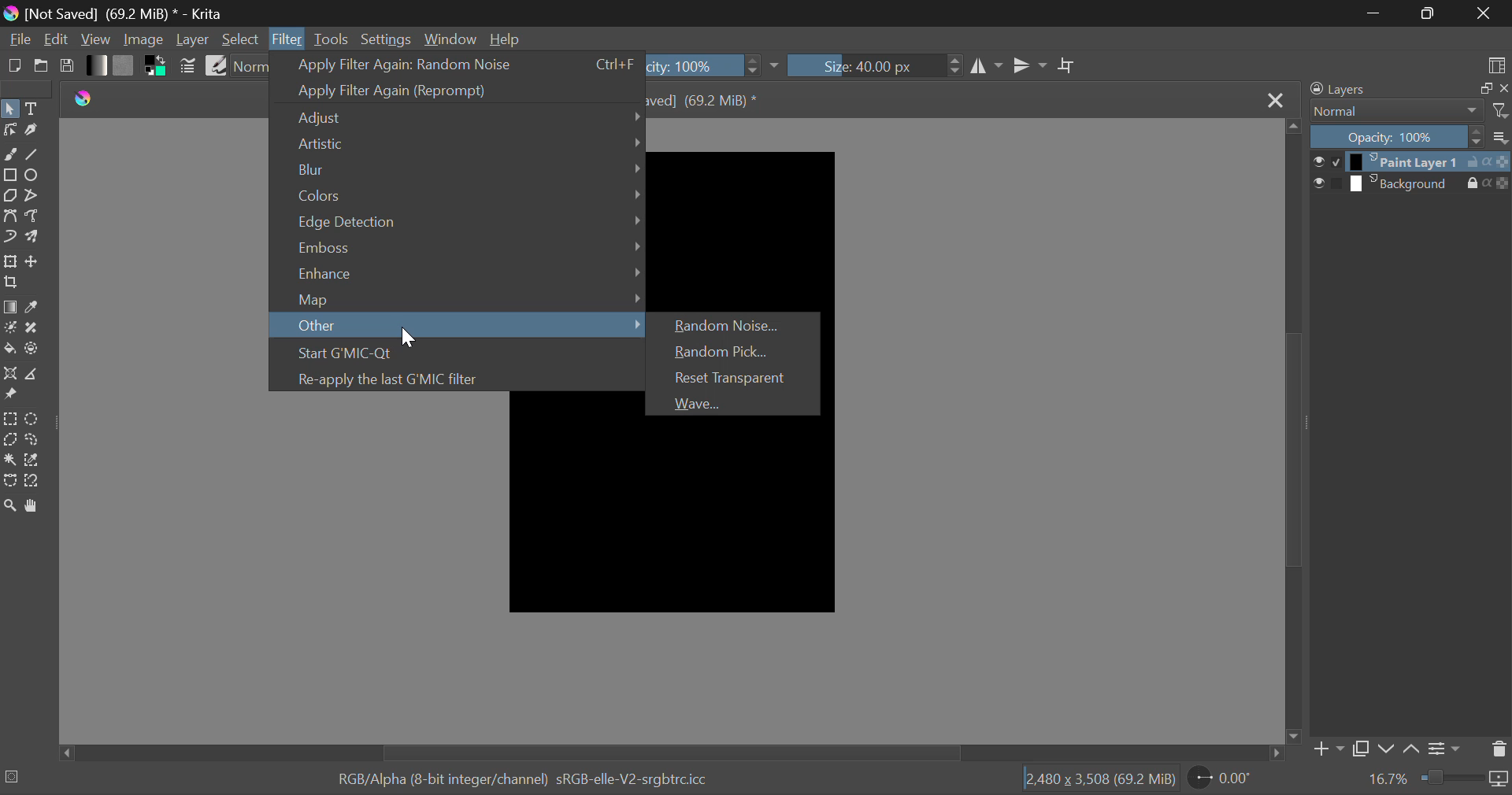  What do you see at coordinates (34, 441) in the screenshot?
I see `Freehand Selection` at bounding box center [34, 441].